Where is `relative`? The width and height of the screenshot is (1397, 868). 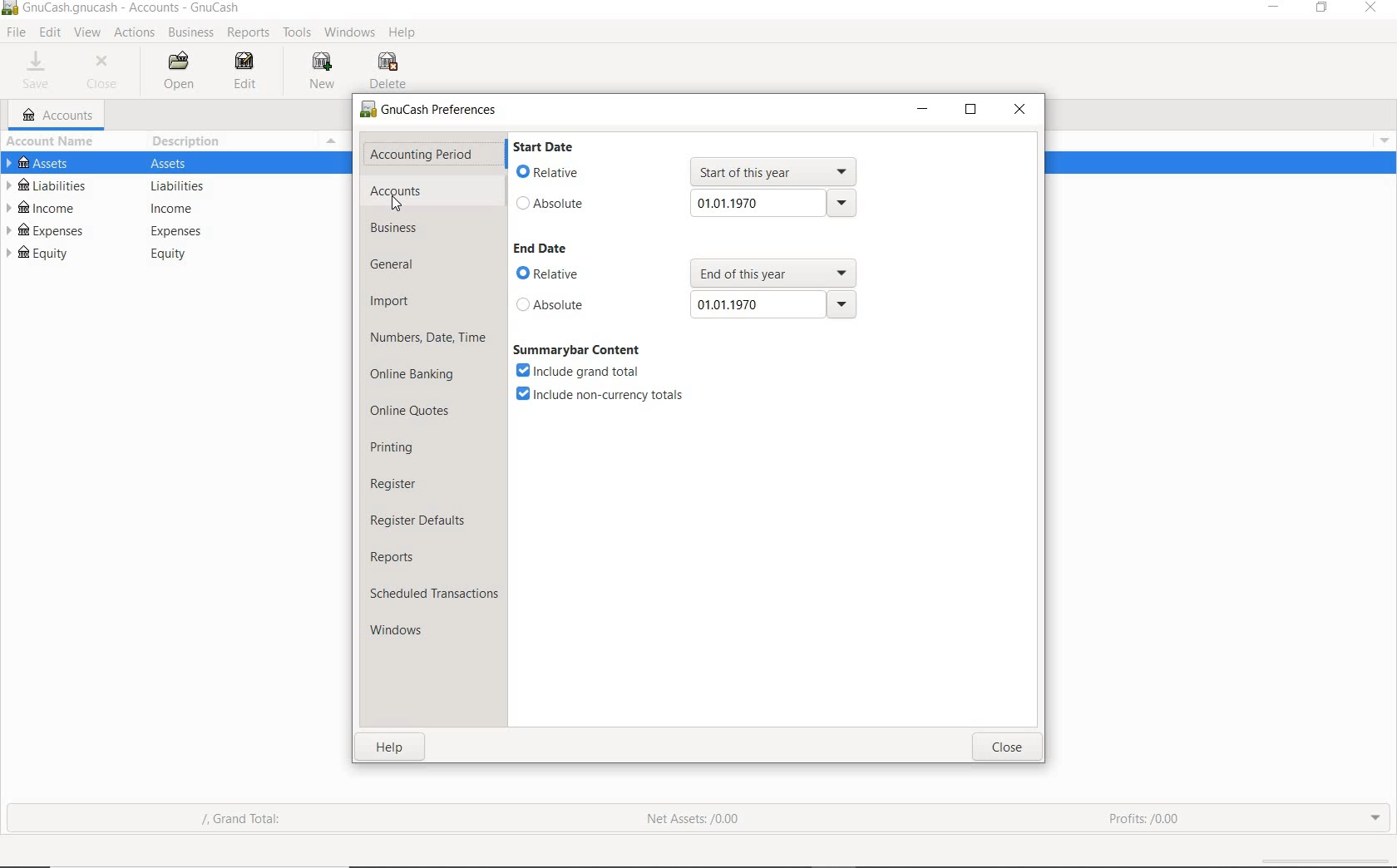 relative is located at coordinates (550, 173).